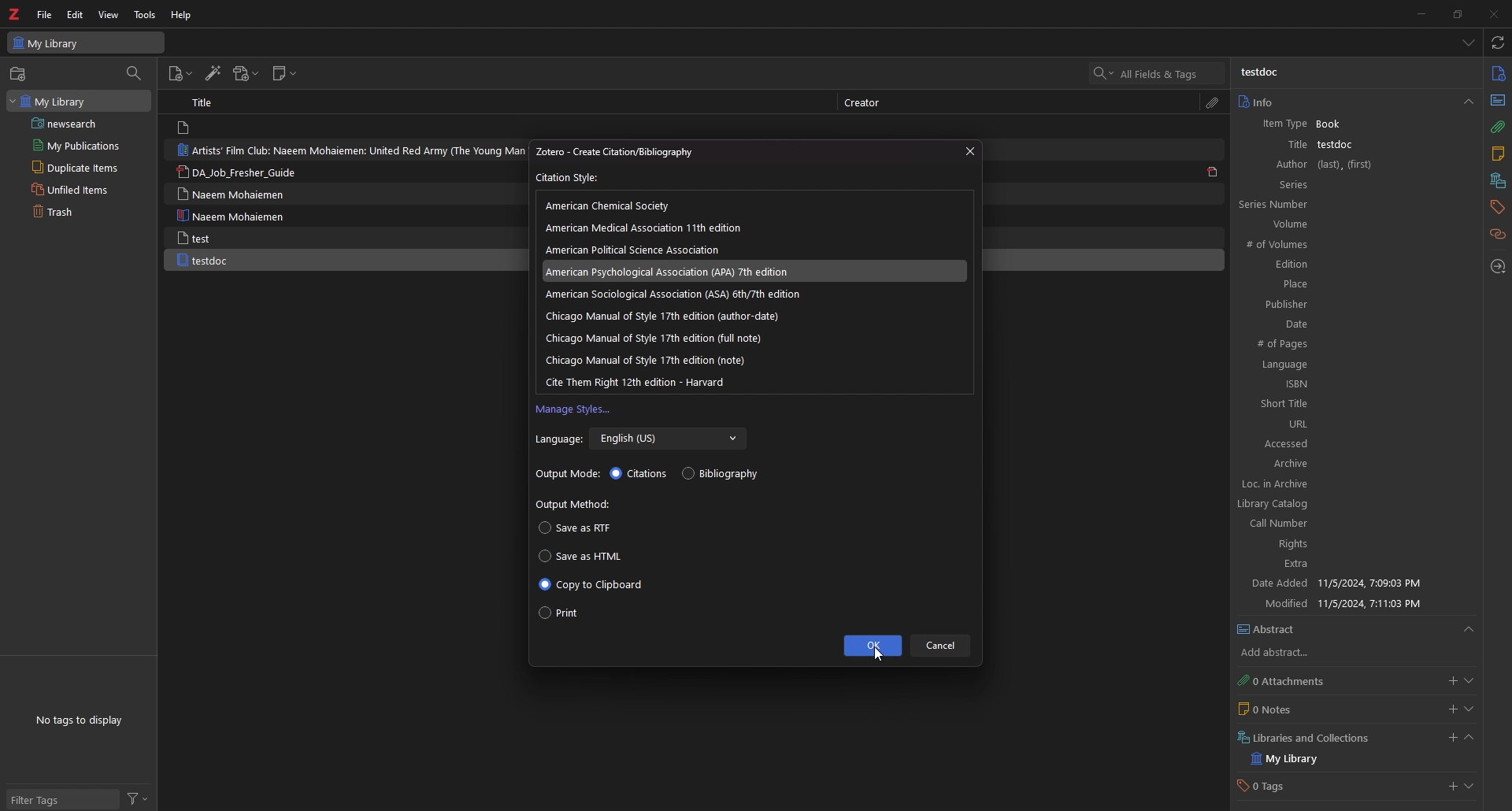 The width and height of the screenshot is (1512, 811). I want to click on filter items, so click(135, 72).